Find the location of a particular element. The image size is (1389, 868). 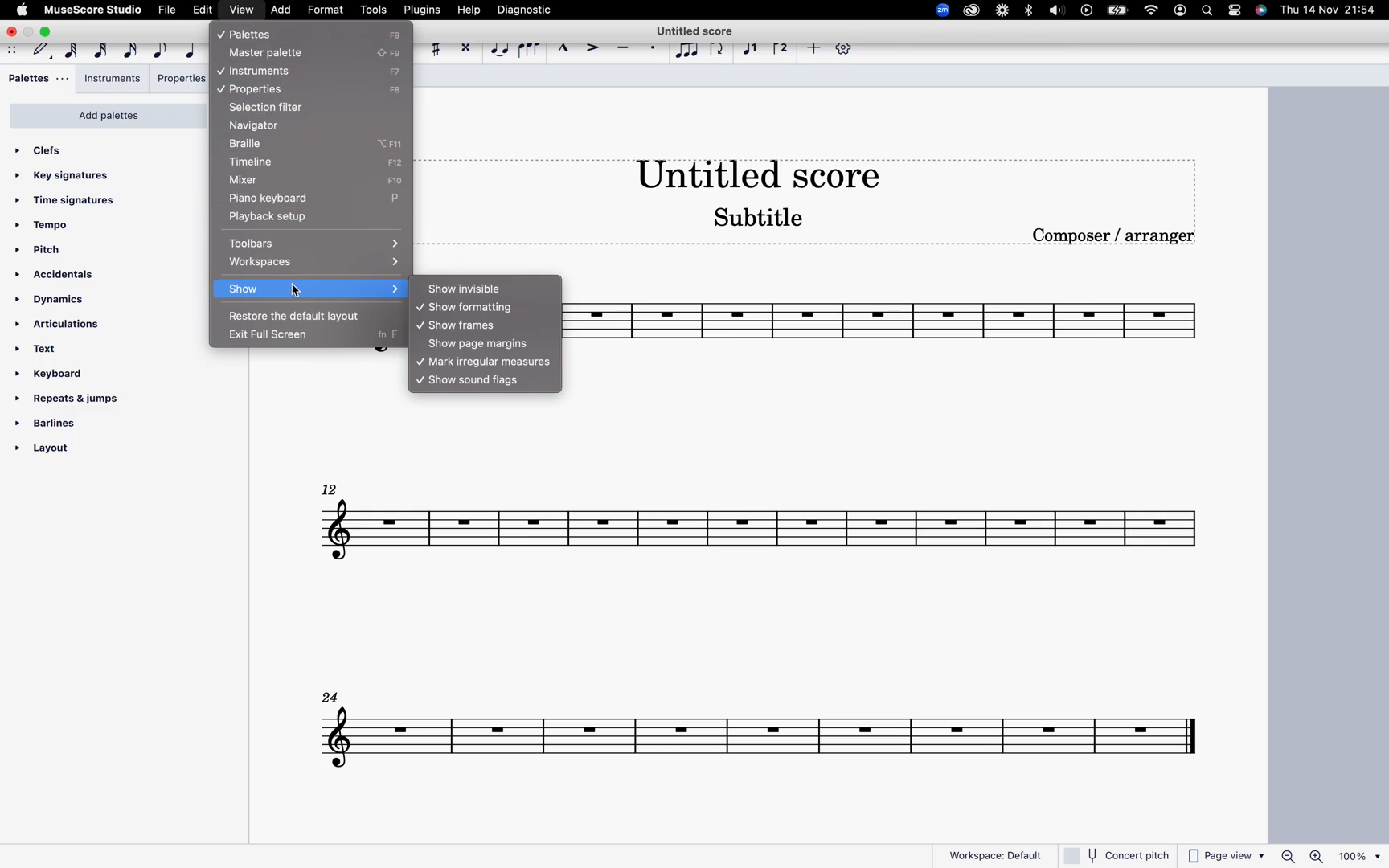

help is located at coordinates (469, 11).